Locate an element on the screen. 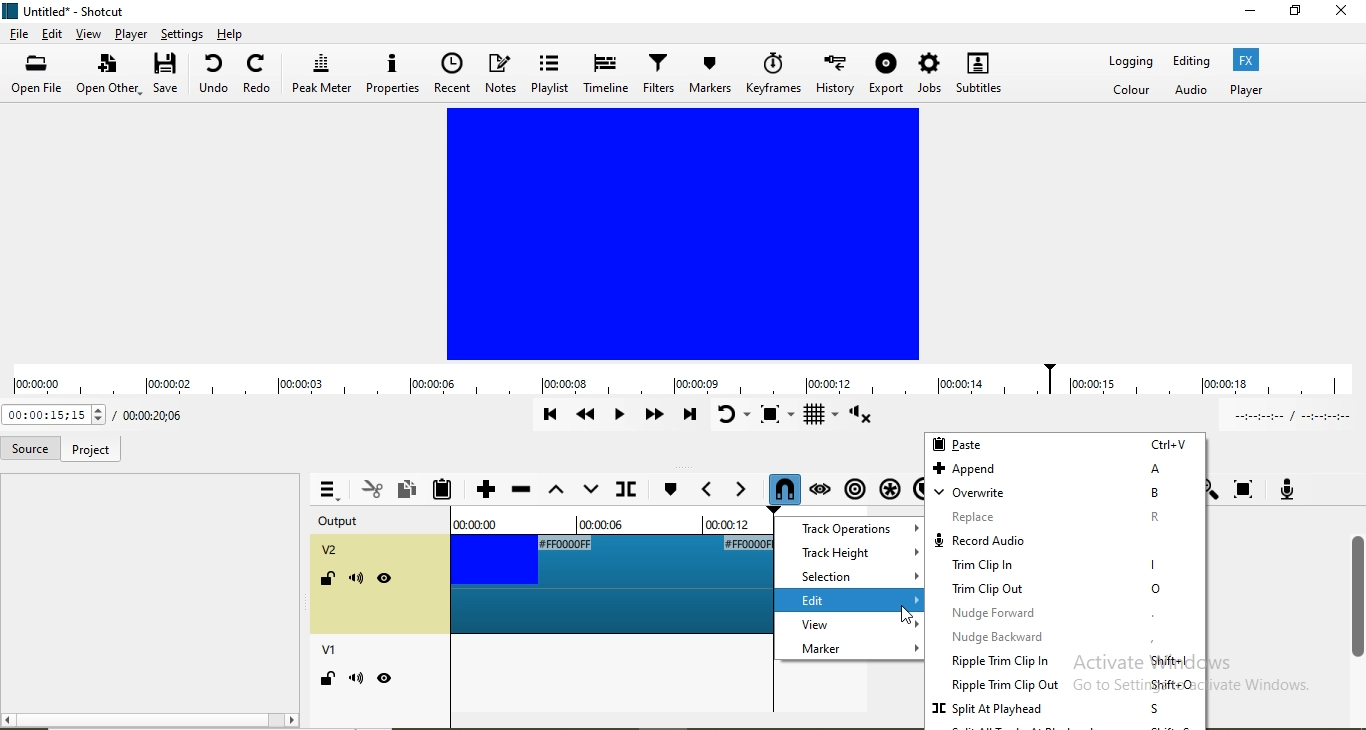 The image size is (1366, 730). Toggle grid display  is located at coordinates (823, 418).